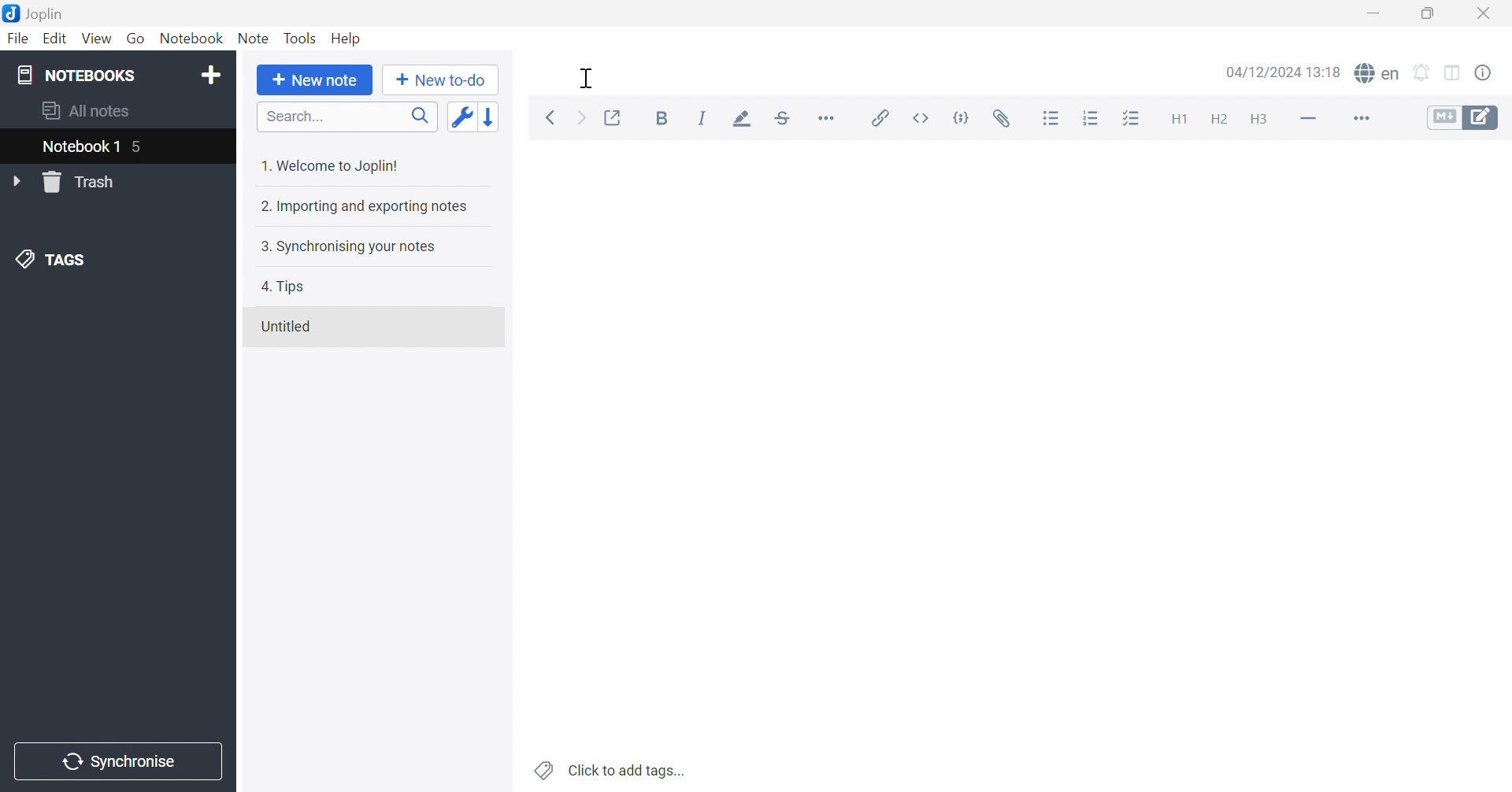  What do you see at coordinates (252, 39) in the screenshot?
I see `Note` at bounding box center [252, 39].